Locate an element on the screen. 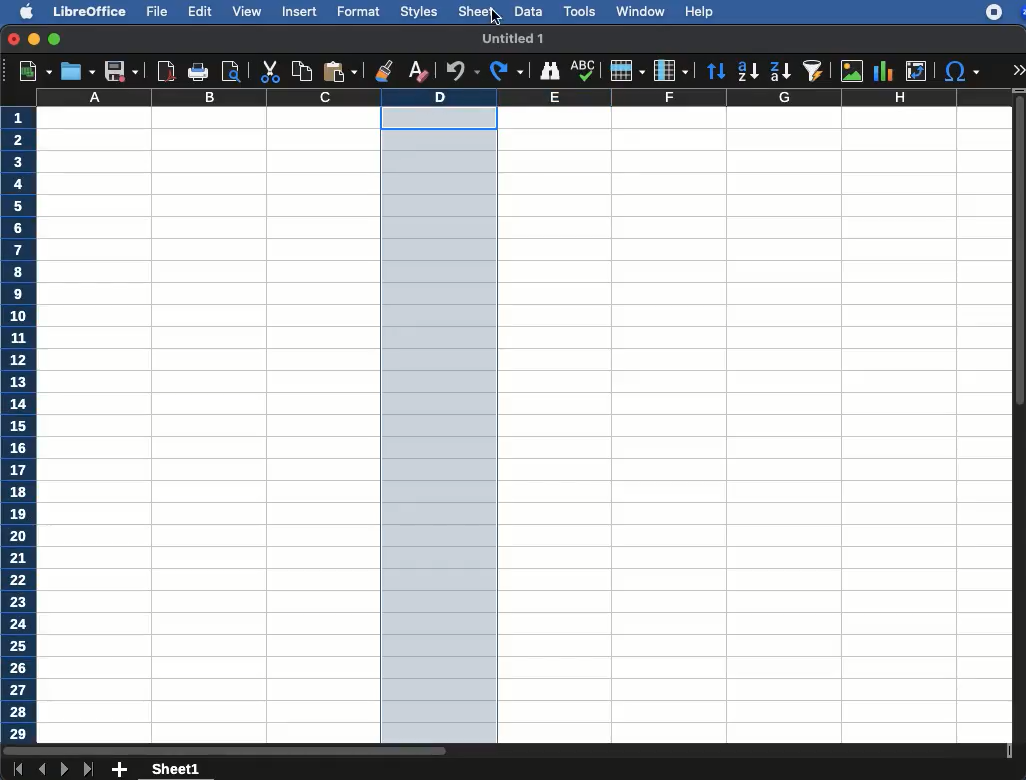 This screenshot has height=780, width=1026. redo is located at coordinates (507, 71).